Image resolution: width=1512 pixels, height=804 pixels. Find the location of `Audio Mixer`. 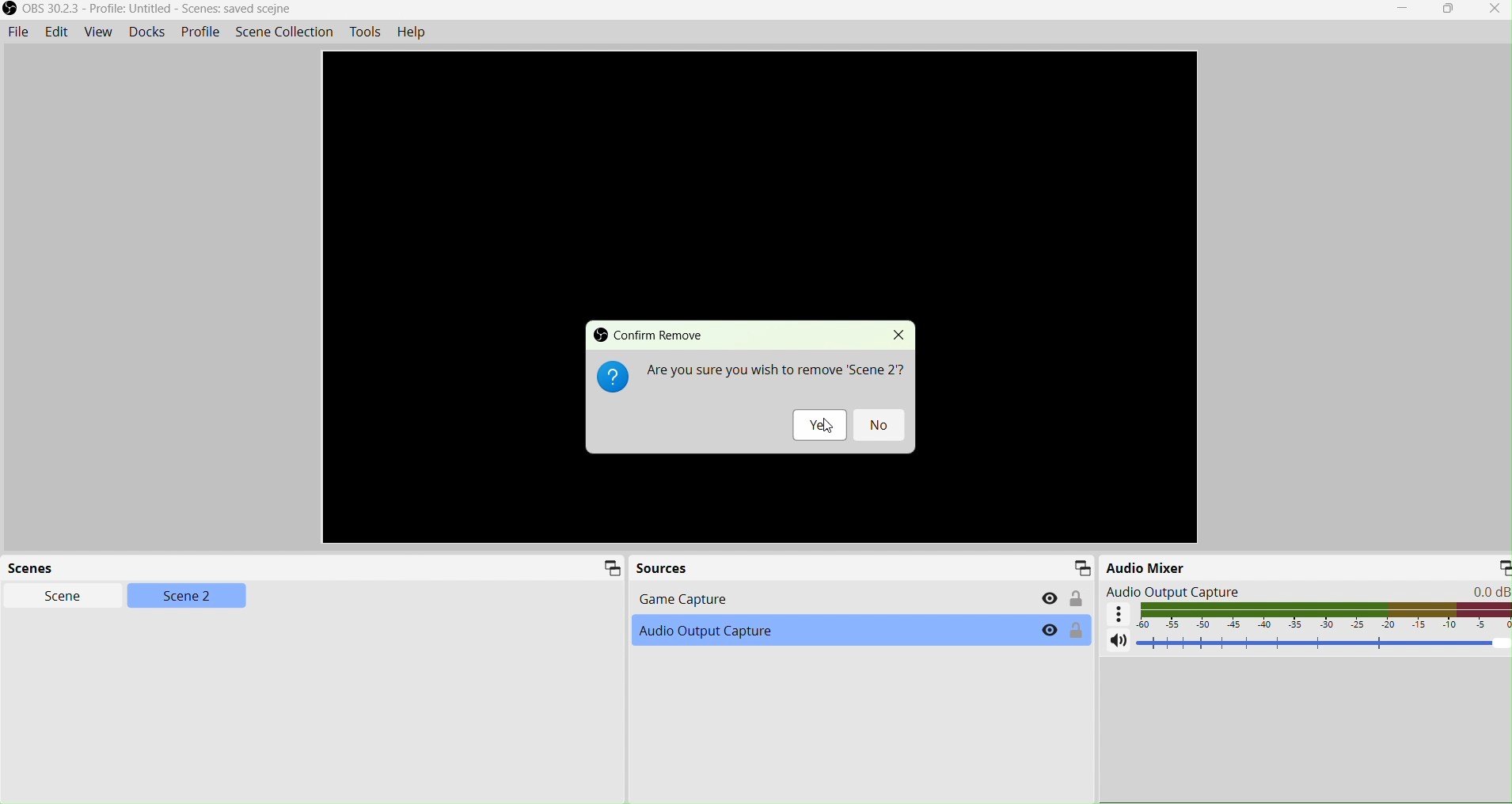

Audio Mixer is located at coordinates (1221, 567).